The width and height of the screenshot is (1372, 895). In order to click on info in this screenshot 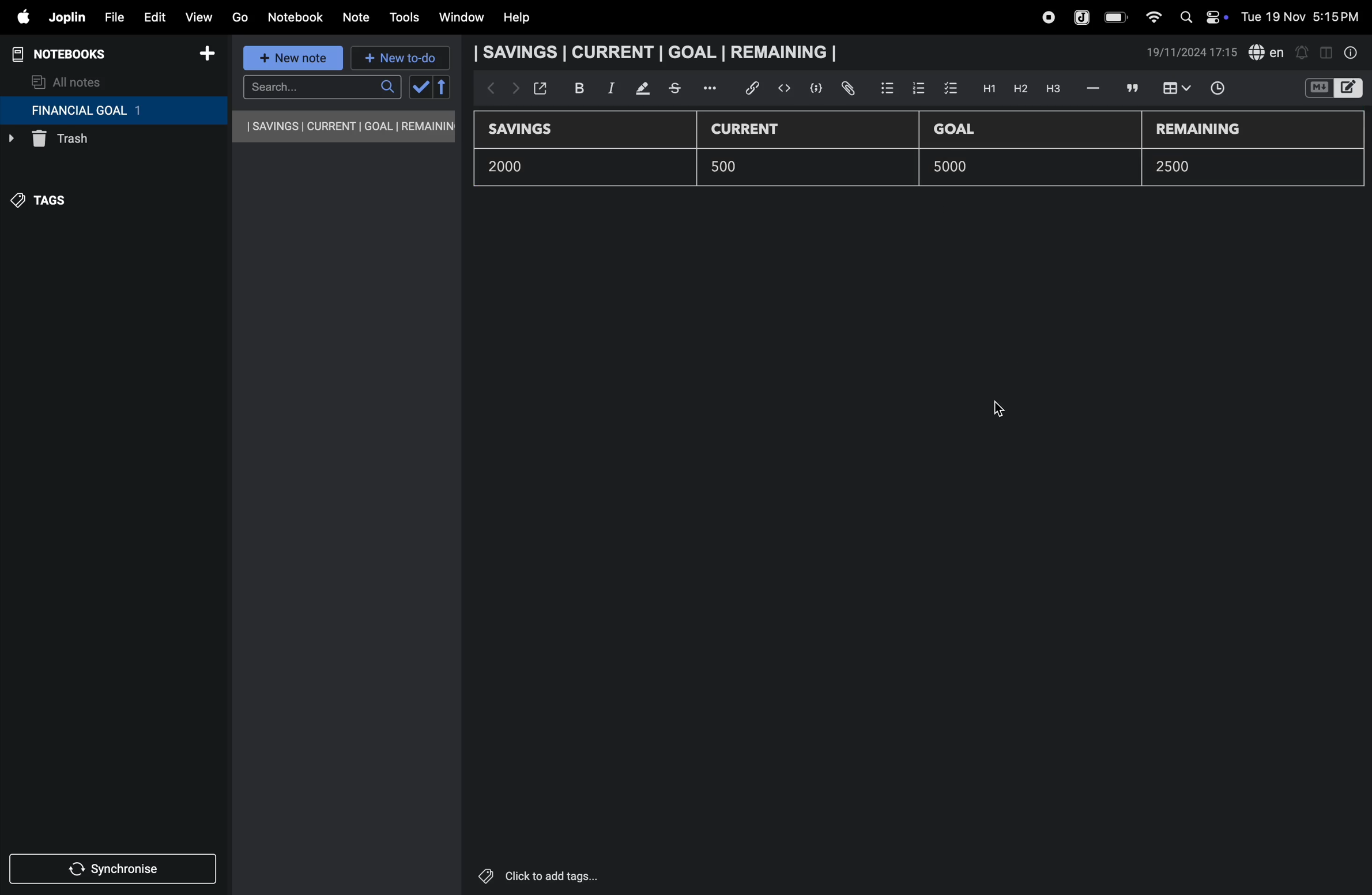, I will do `click(1352, 52)`.